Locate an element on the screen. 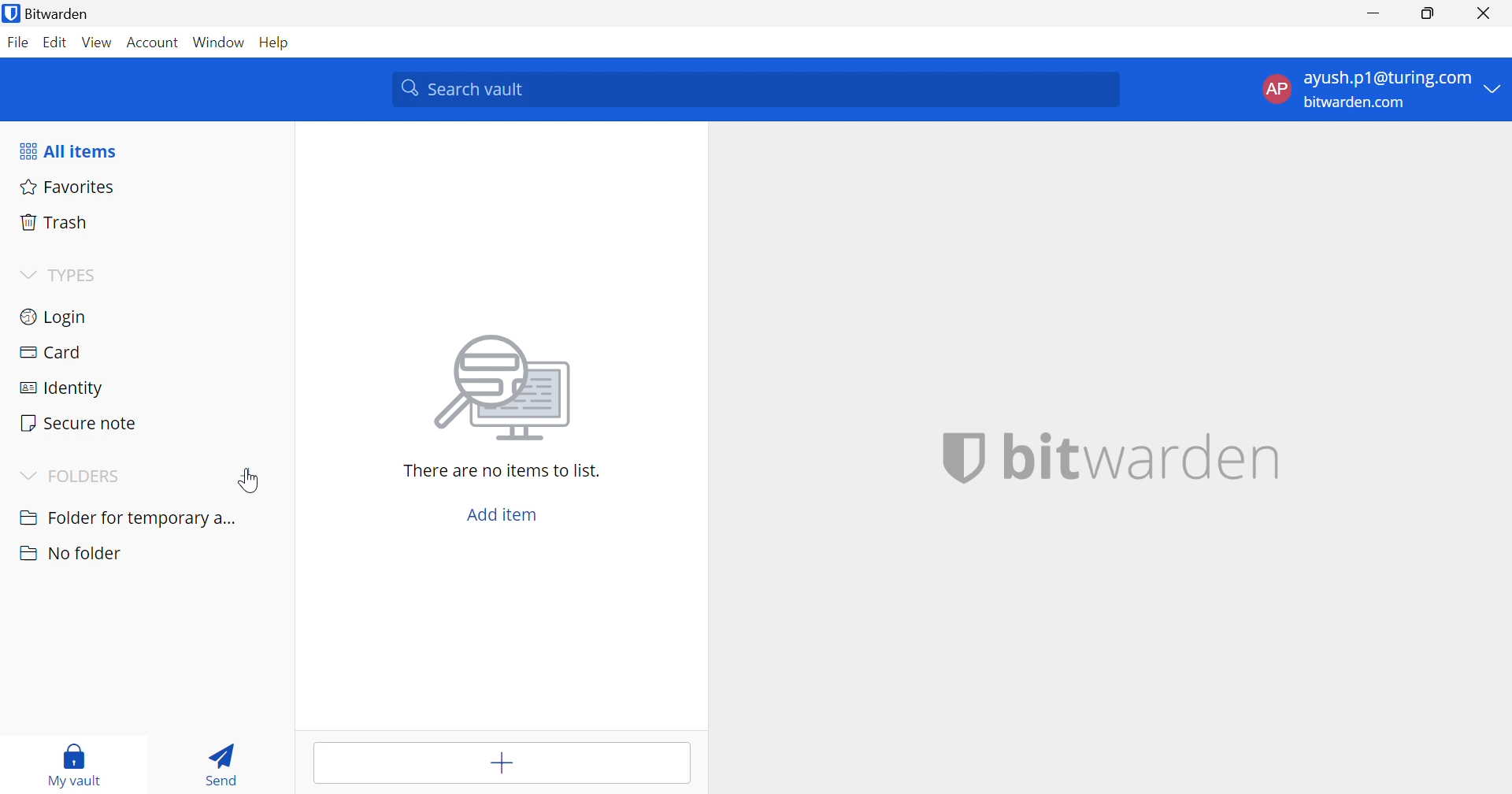 This screenshot has height=794, width=1512. Minimize is located at coordinates (1373, 11).